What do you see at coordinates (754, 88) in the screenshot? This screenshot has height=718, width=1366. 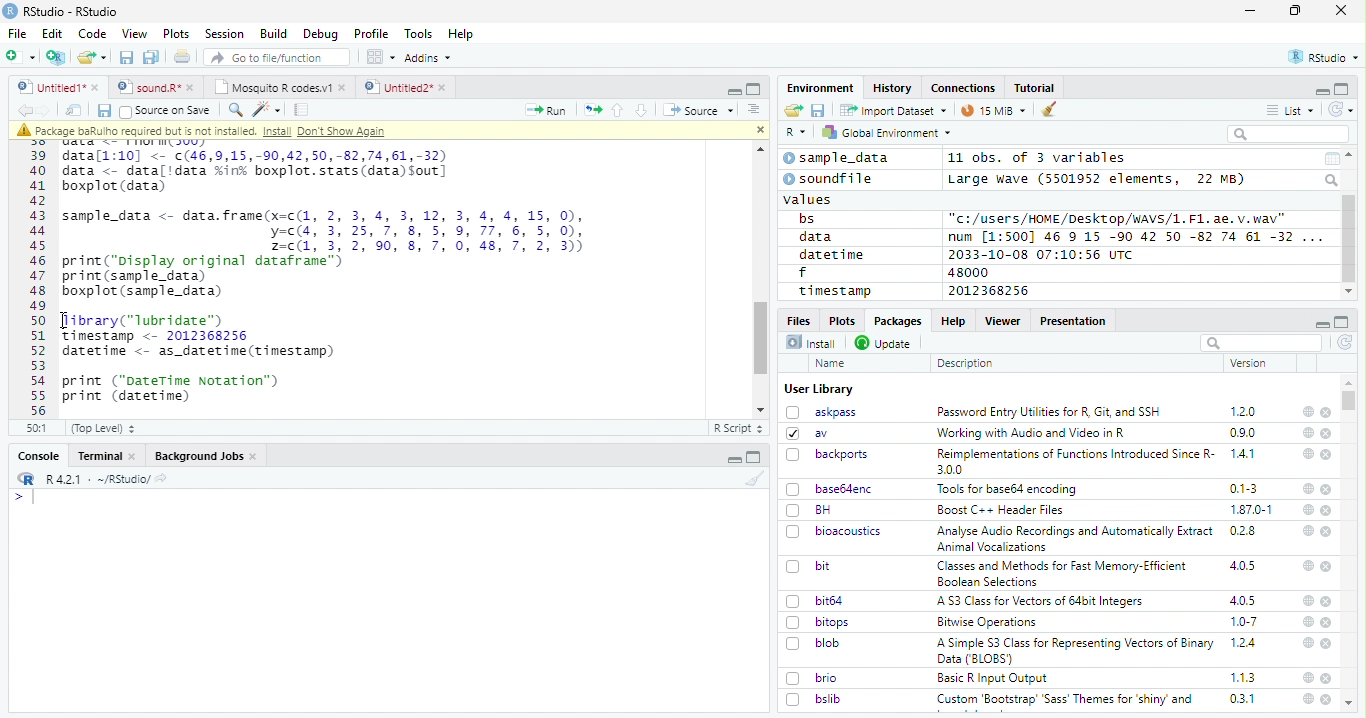 I see `Full screen` at bounding box center [754, 88].